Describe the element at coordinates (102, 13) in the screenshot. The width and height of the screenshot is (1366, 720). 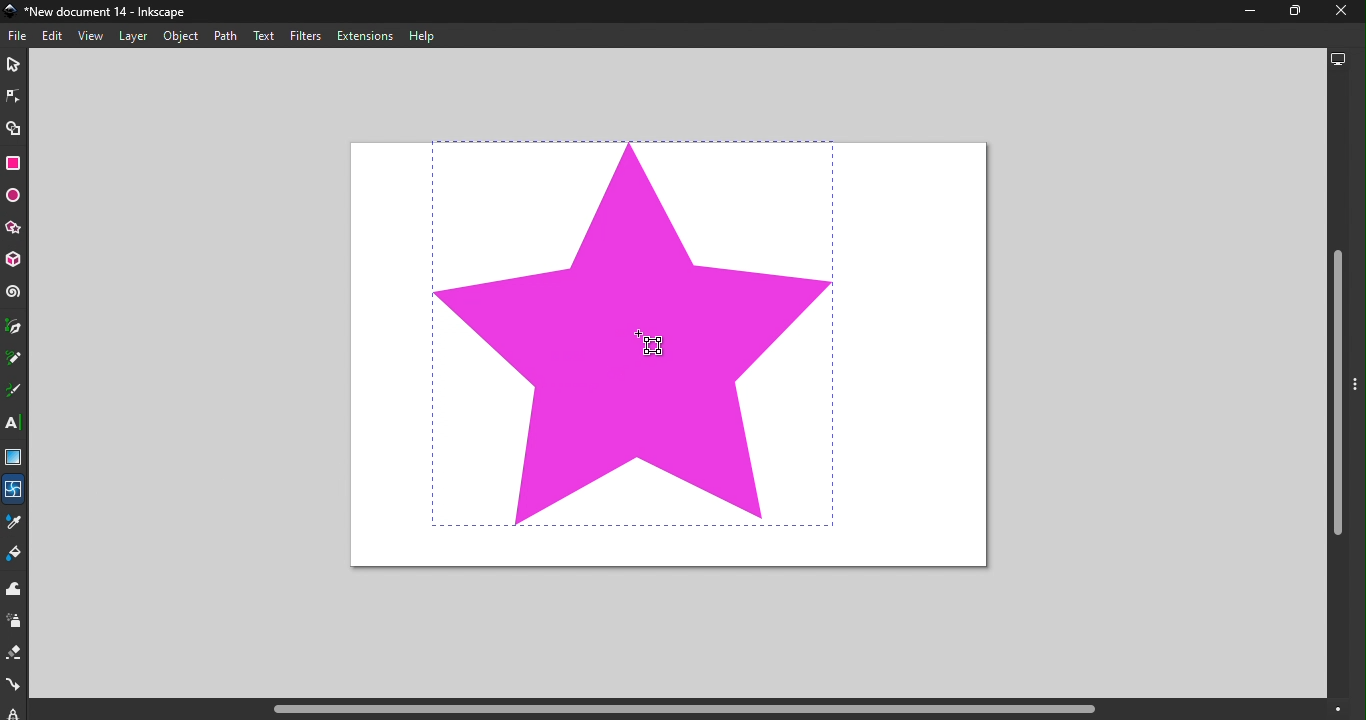
I see `File name` at that location.